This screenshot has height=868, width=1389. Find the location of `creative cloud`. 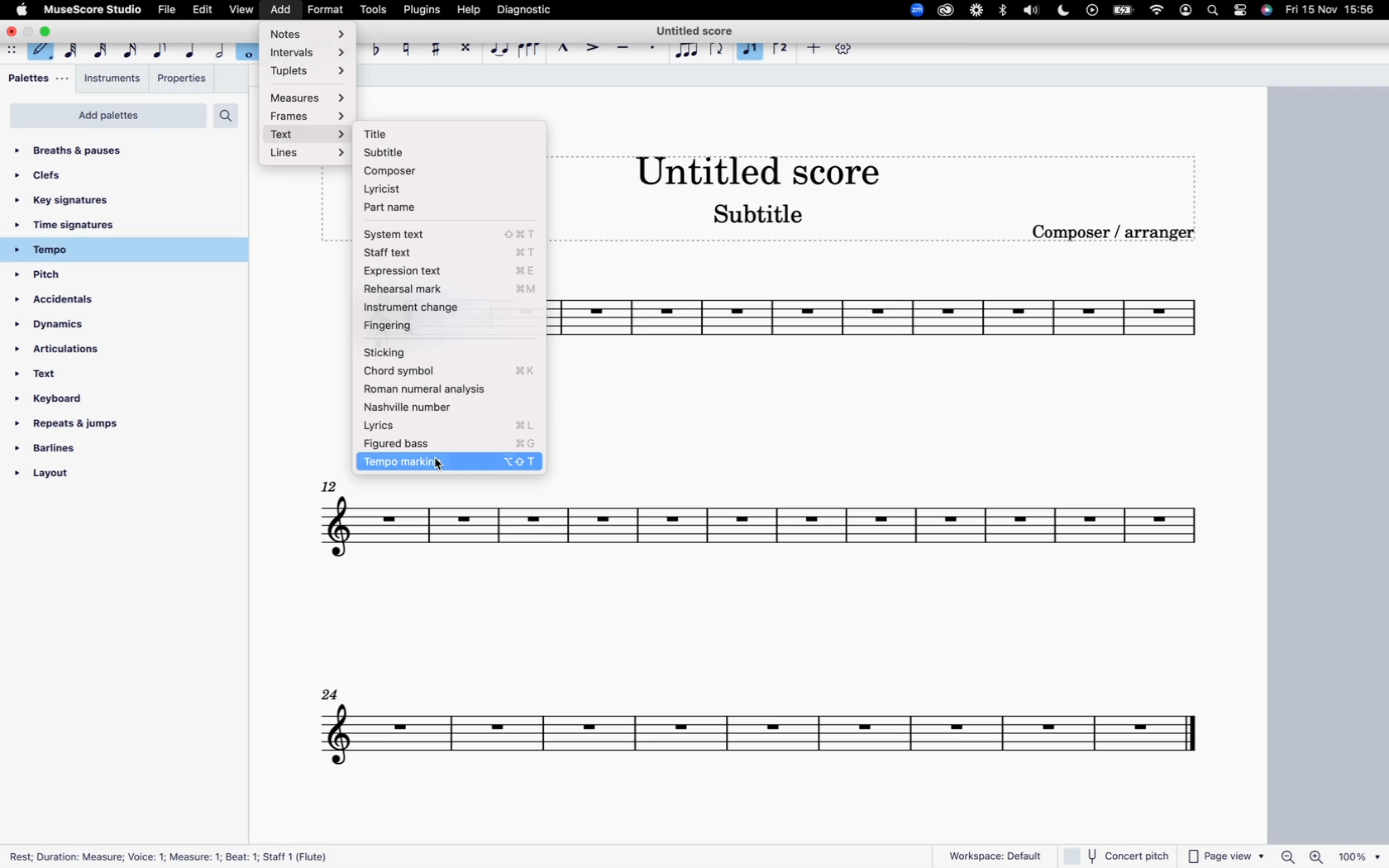

creative cloud is located at coordinates (943, 12).